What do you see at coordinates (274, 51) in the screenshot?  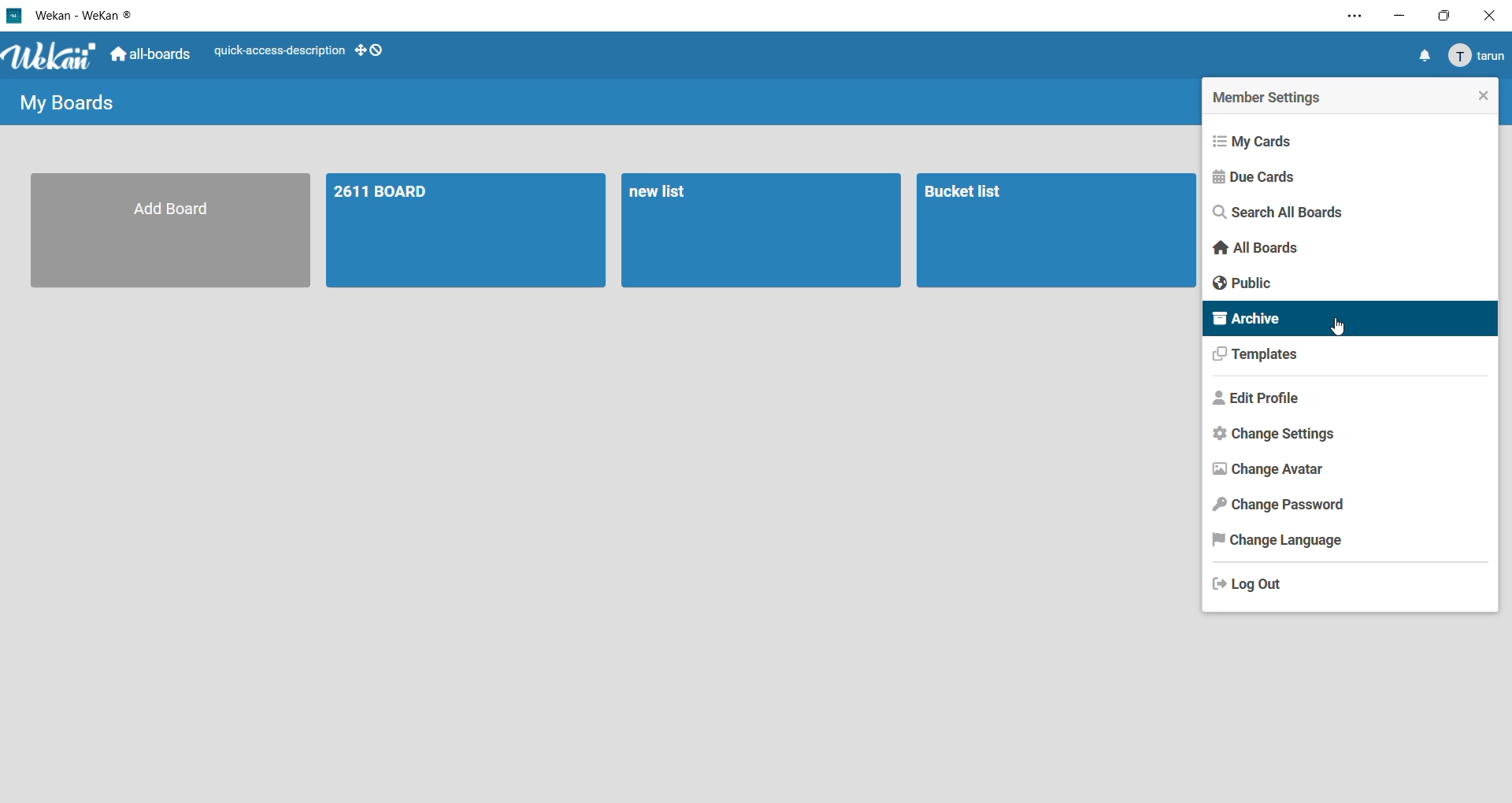 I see `quick access description` at bounding box center [274, 51].